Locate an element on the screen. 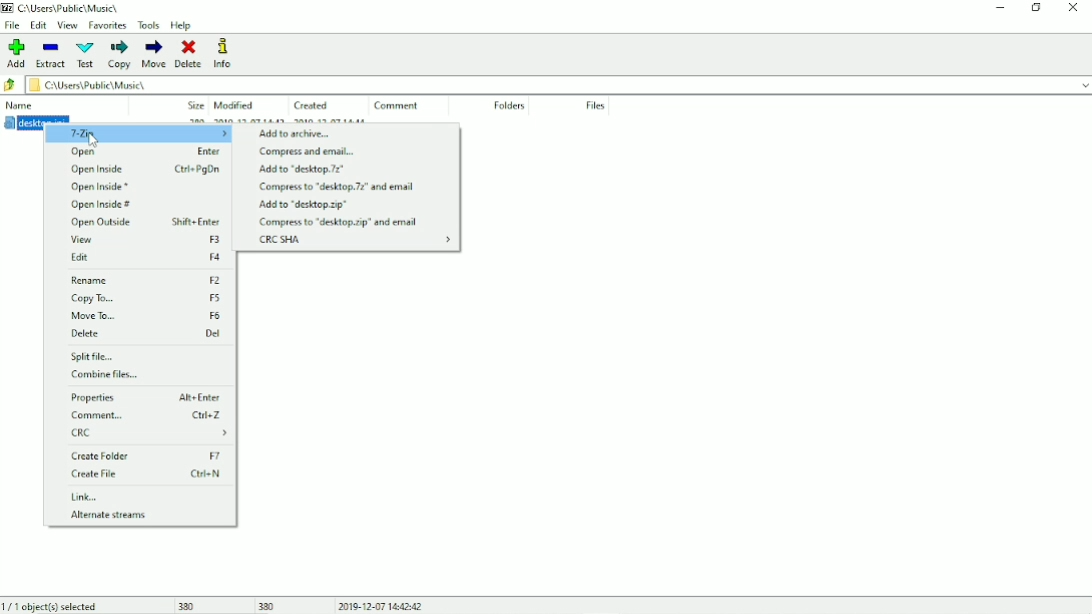 This screenshot has height=614, width=1092. Delete is located at coordinates (148, 333).